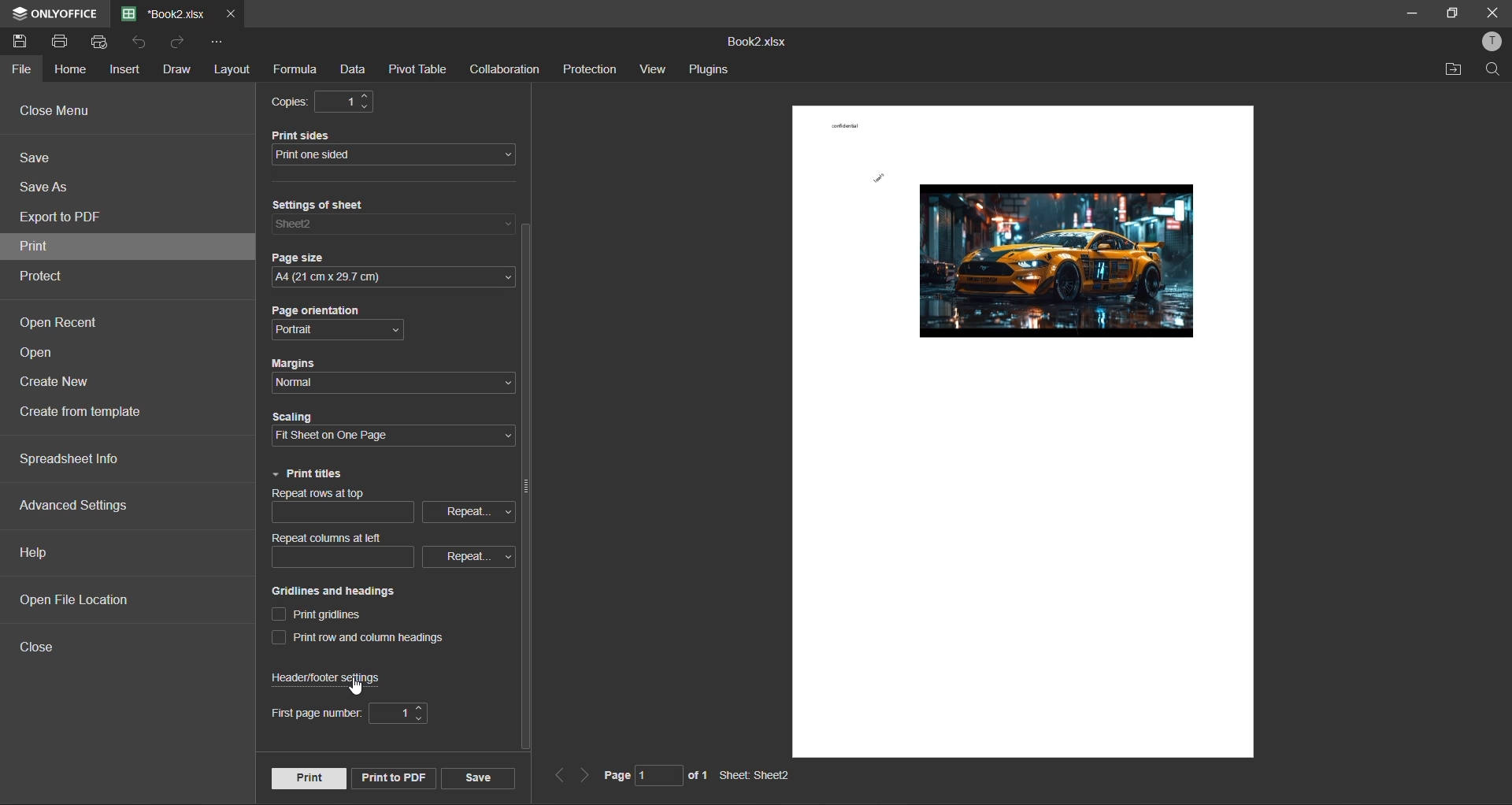  I want to click on ONLYOFFICE, so click(70, 15).